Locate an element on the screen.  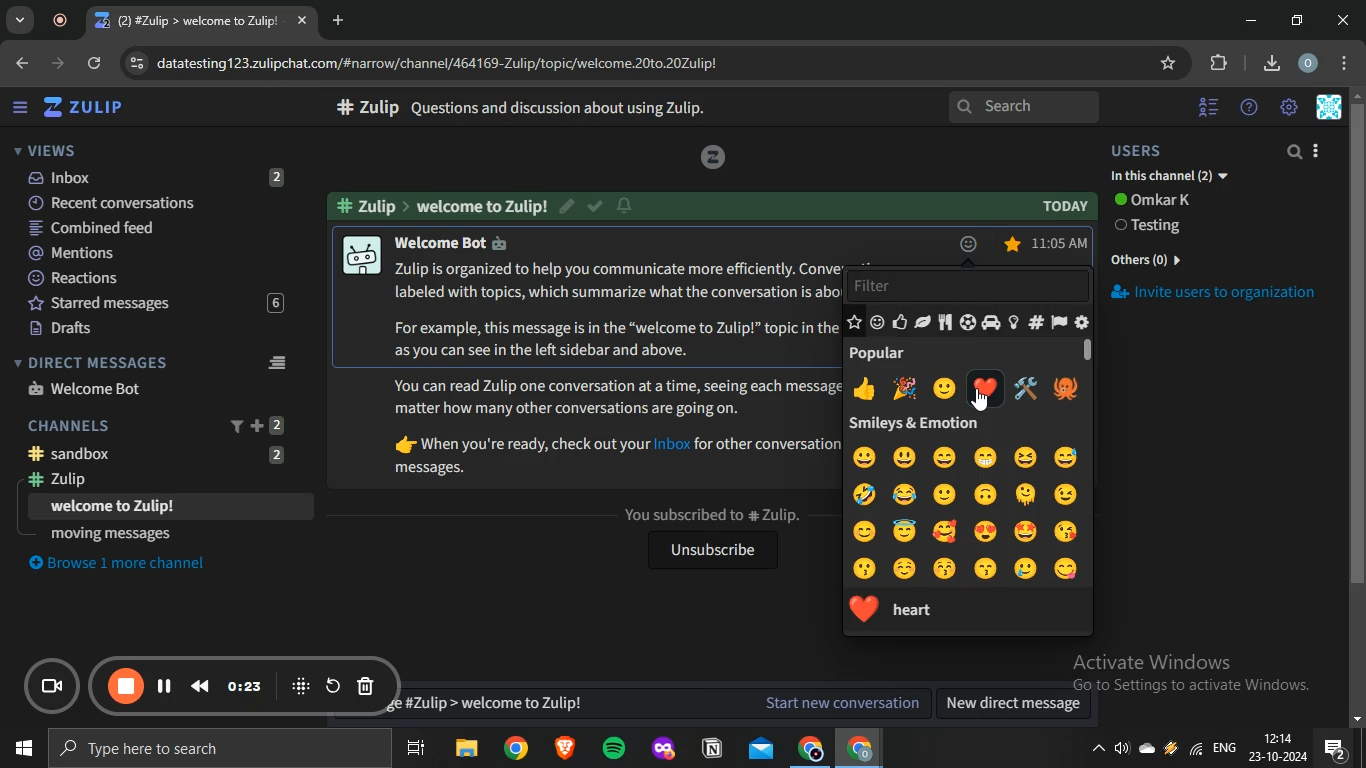
mentions is located at coordinates (155, 254).